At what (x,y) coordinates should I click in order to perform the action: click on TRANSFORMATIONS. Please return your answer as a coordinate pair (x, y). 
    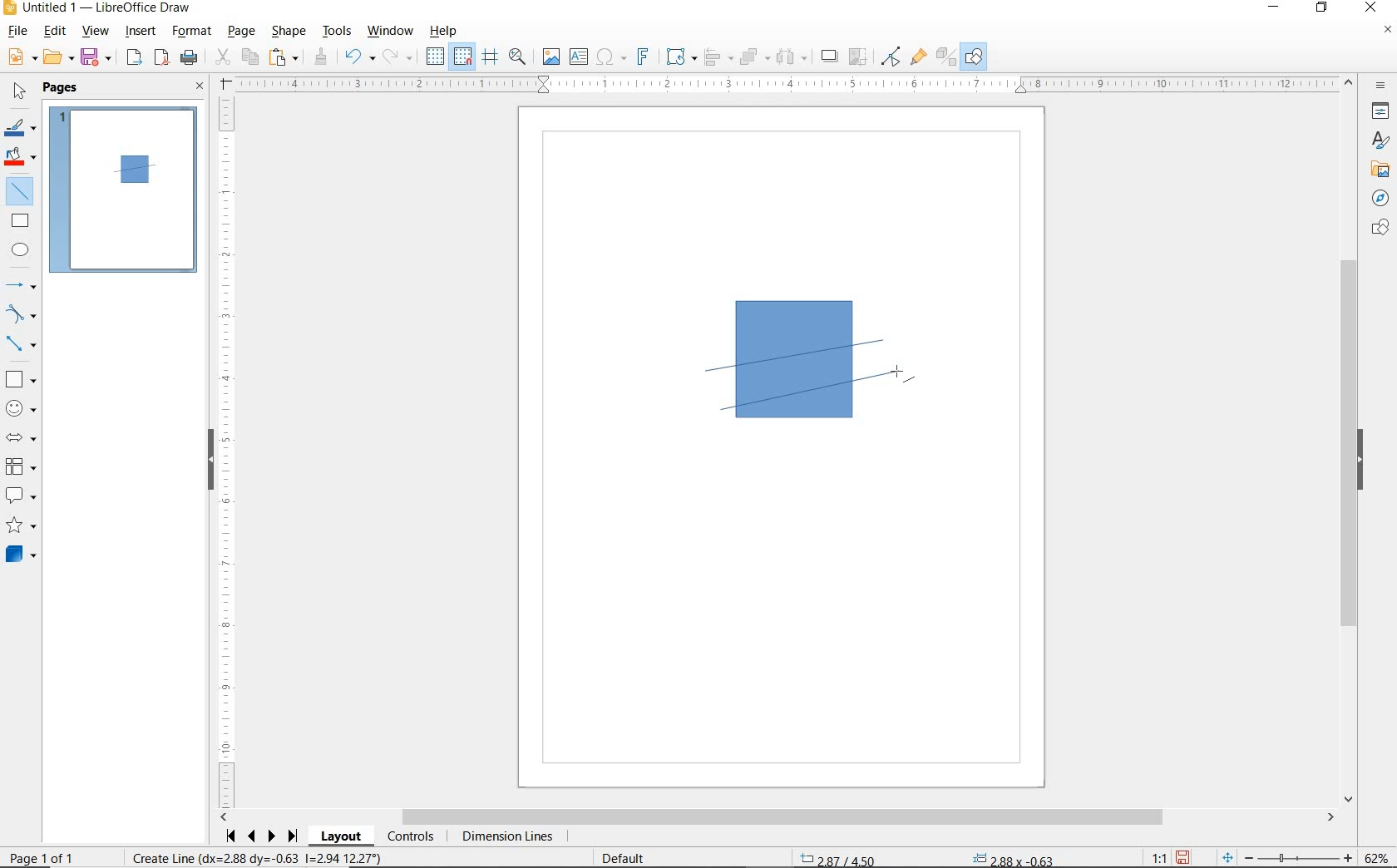
    Looking at the image, I should click on (679, 57).